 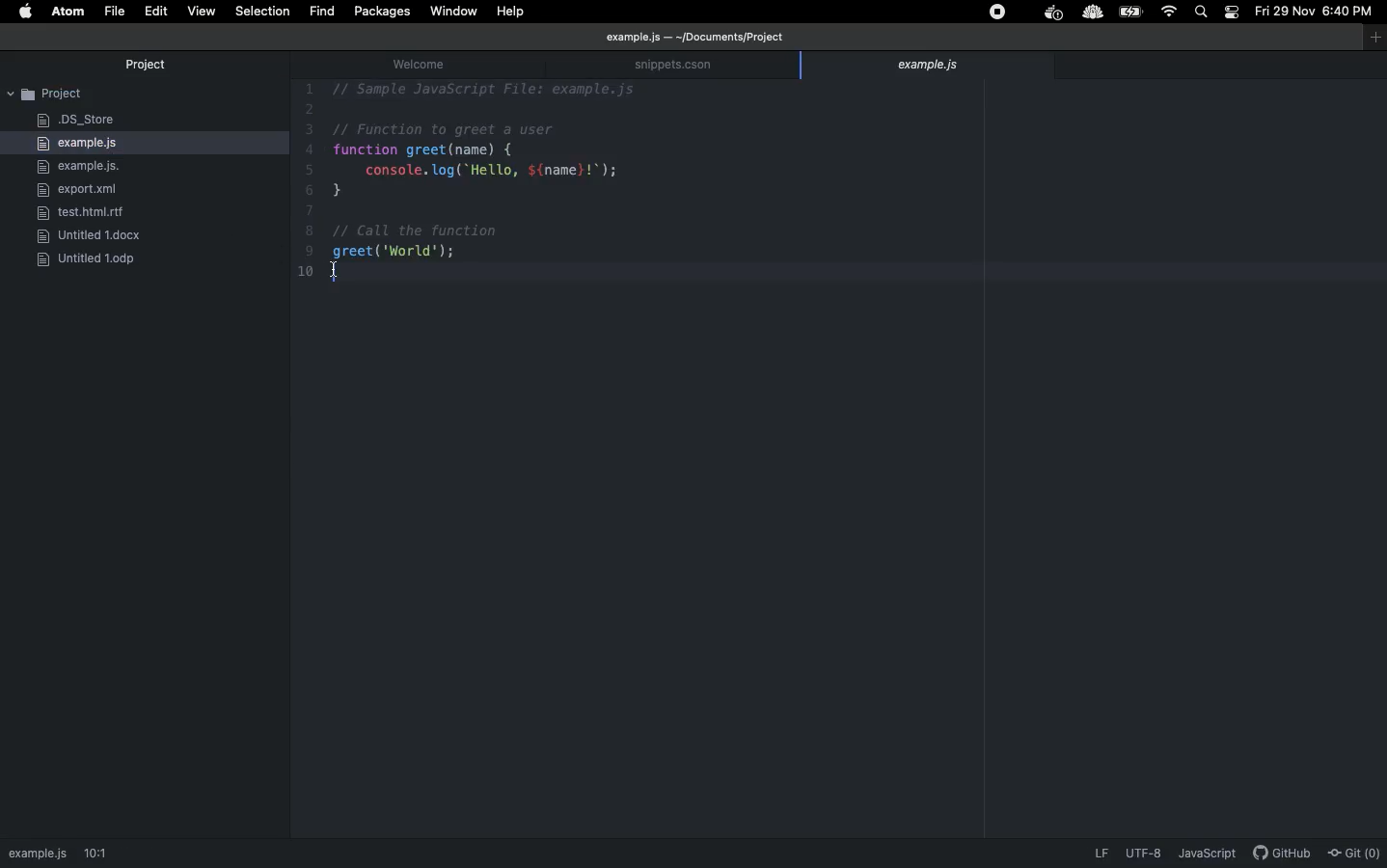 I want to click on extension, so click(x=1092, y=14).